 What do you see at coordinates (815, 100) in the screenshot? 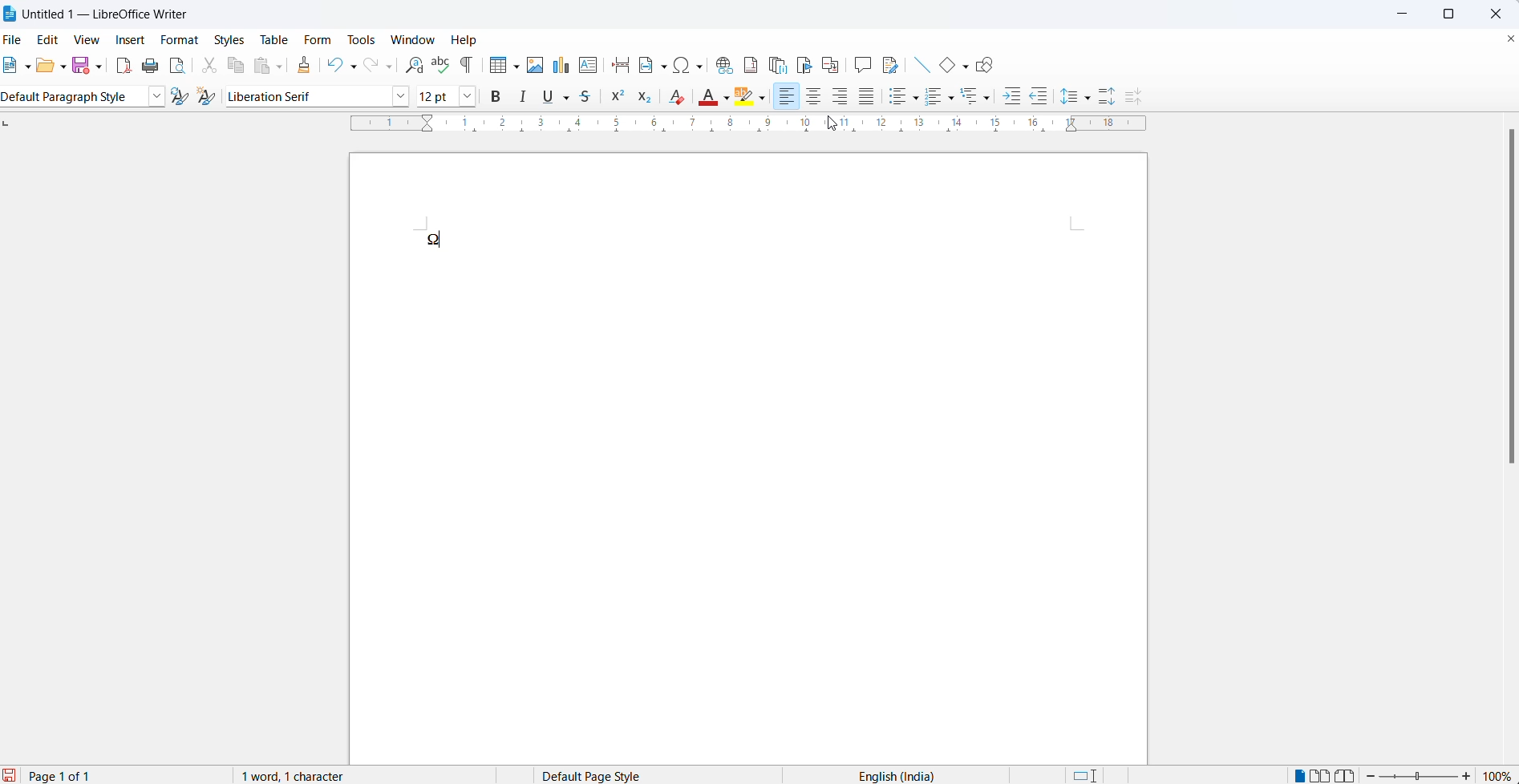
I see `text align center` at bounding box center [815, 100].